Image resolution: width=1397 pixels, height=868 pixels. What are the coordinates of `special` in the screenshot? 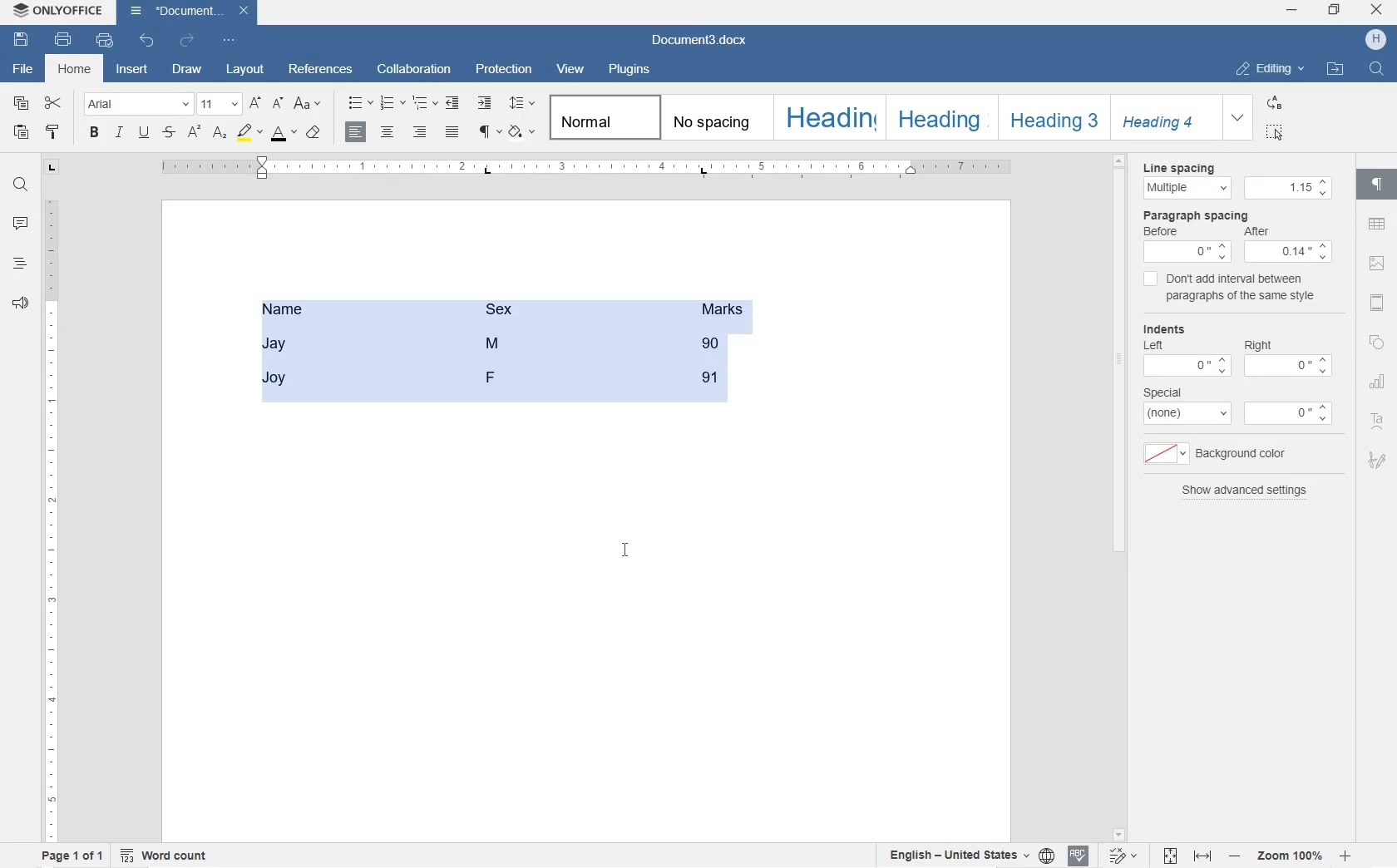 It's located at (1164, 393).